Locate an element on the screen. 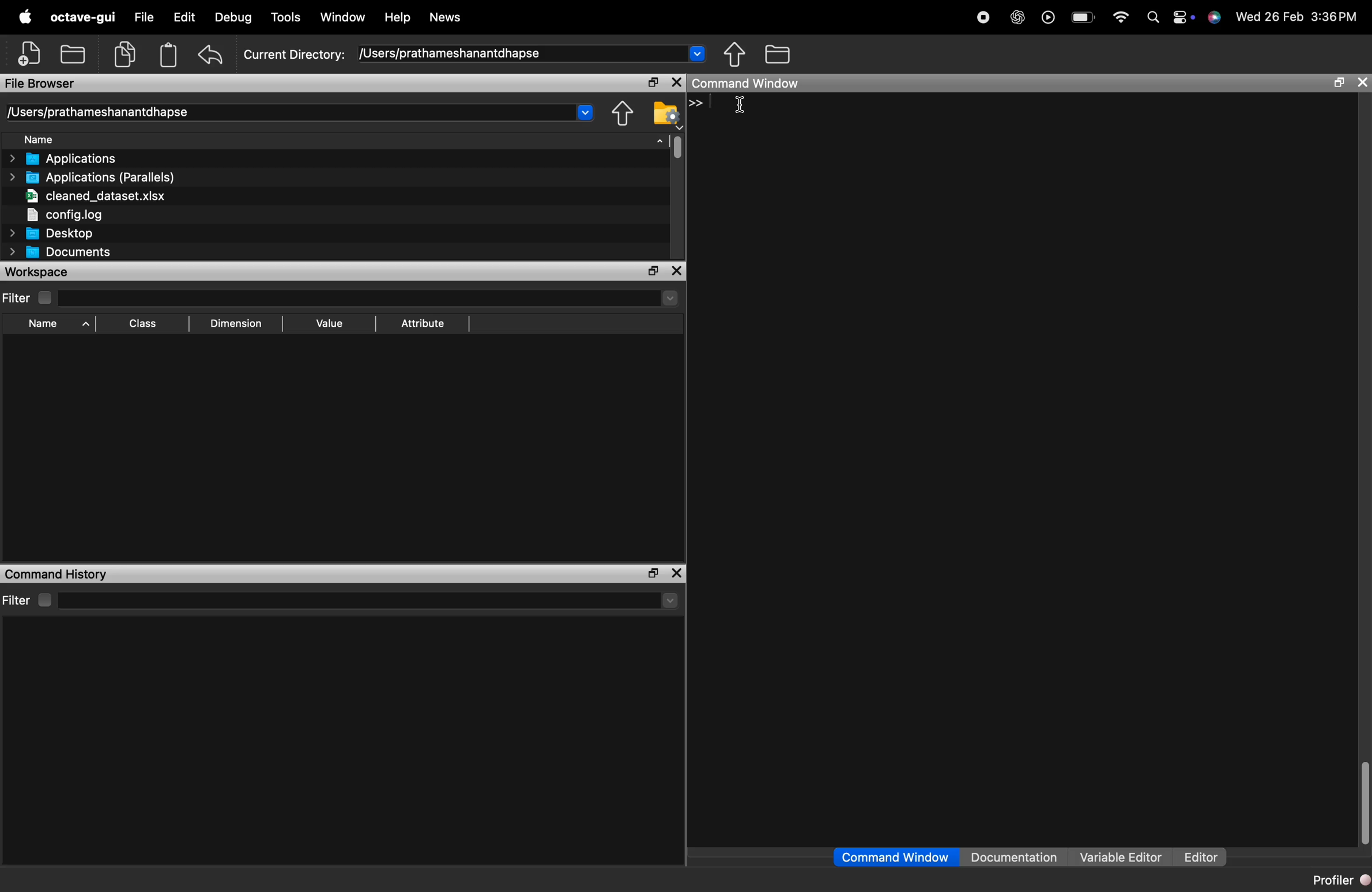  Browse directories is located at coordinates (735, 55).